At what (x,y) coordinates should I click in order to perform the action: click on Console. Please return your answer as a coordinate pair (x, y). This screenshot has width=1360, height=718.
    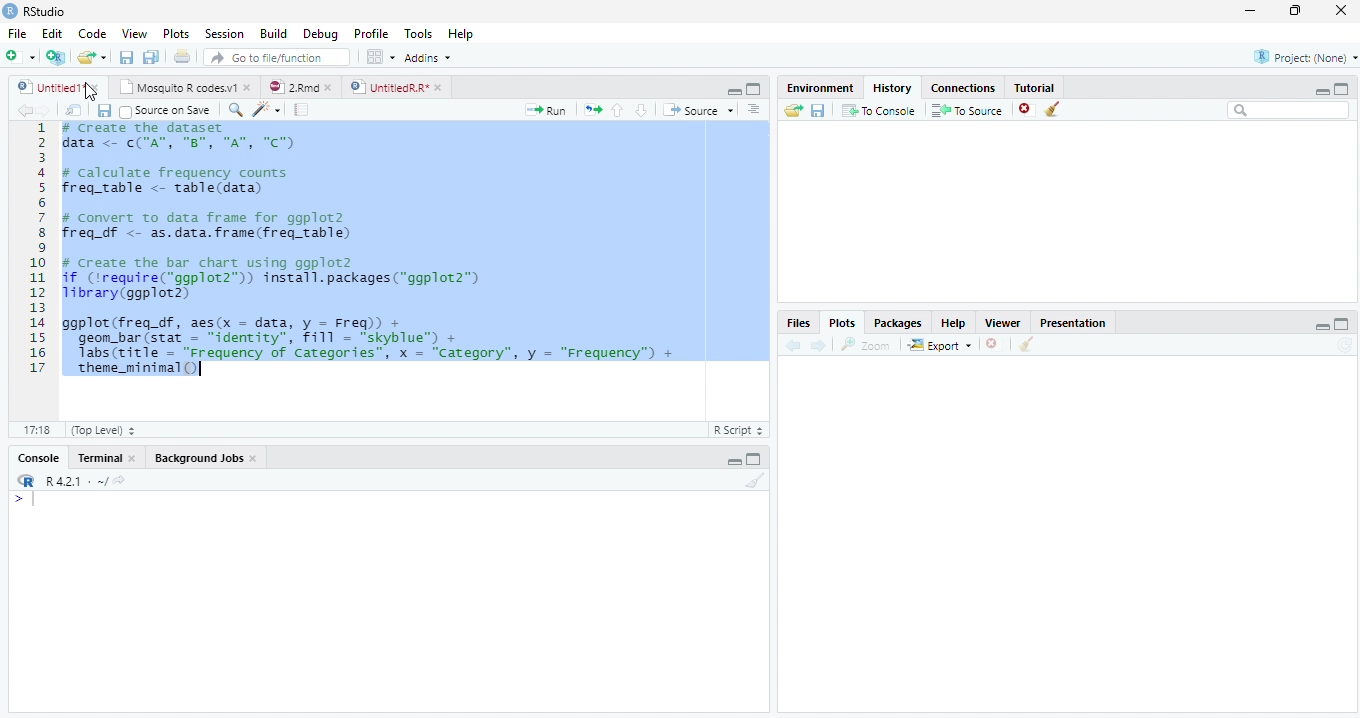
    Looking at the image, I should click on (41, 457).